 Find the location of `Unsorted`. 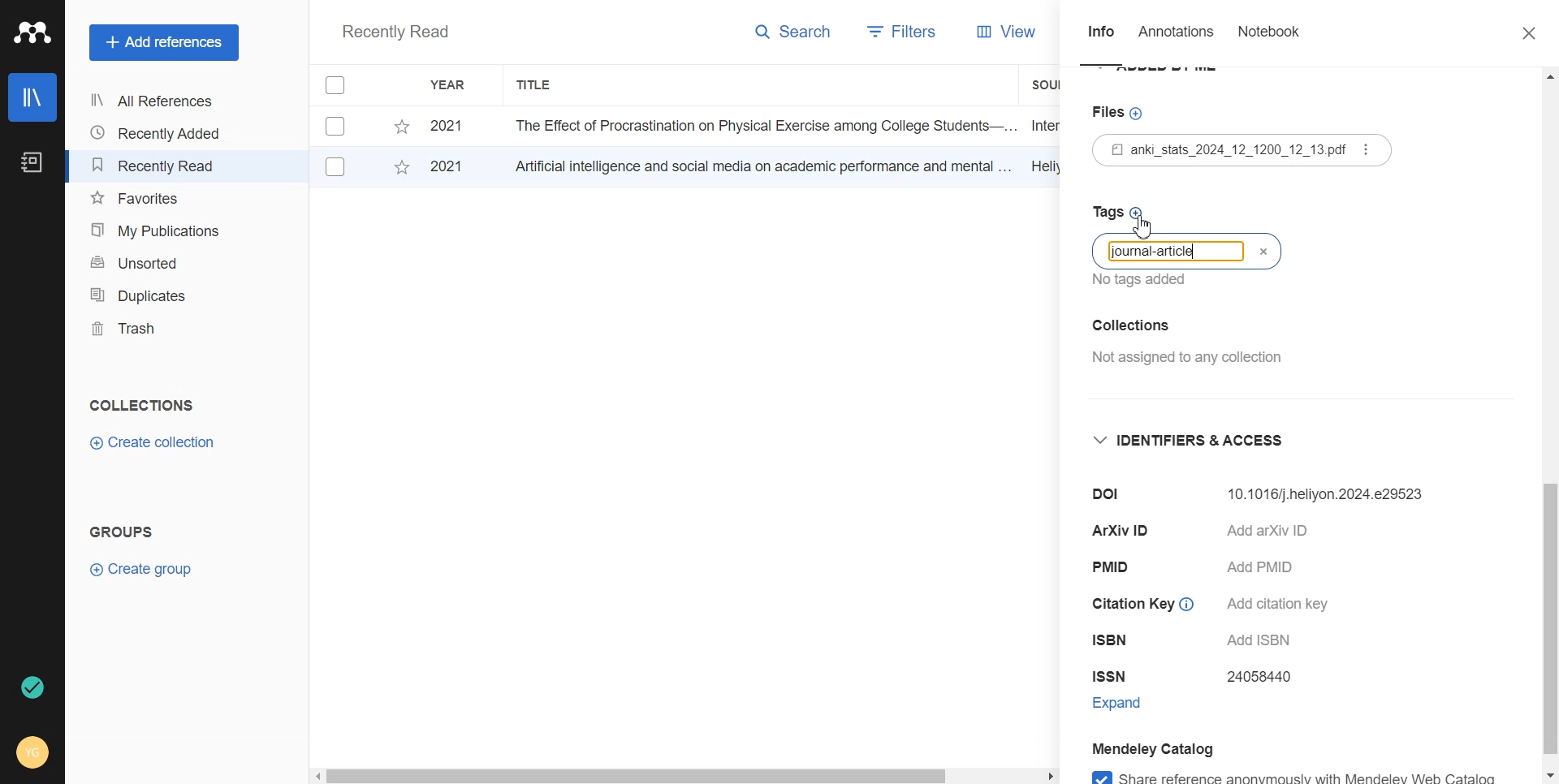

Unsorted is located at coordinates (160, 261).